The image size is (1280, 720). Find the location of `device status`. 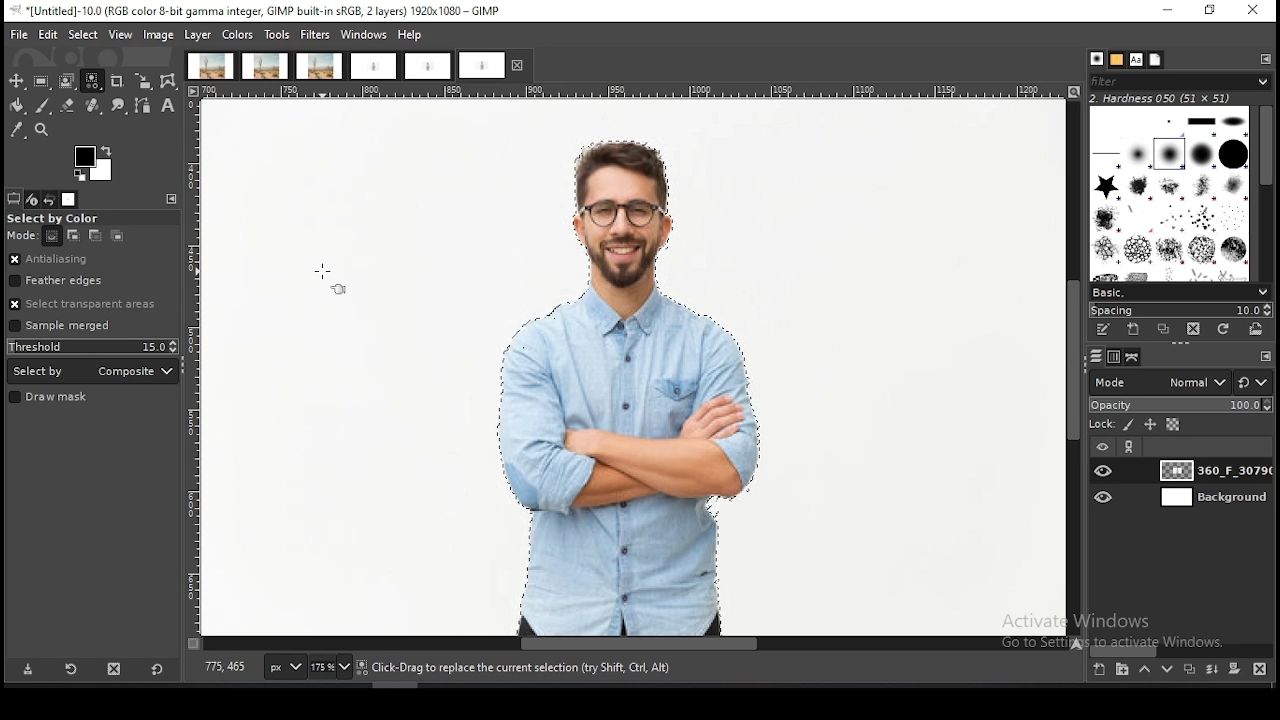

device status is located at coordinates (32, 200).